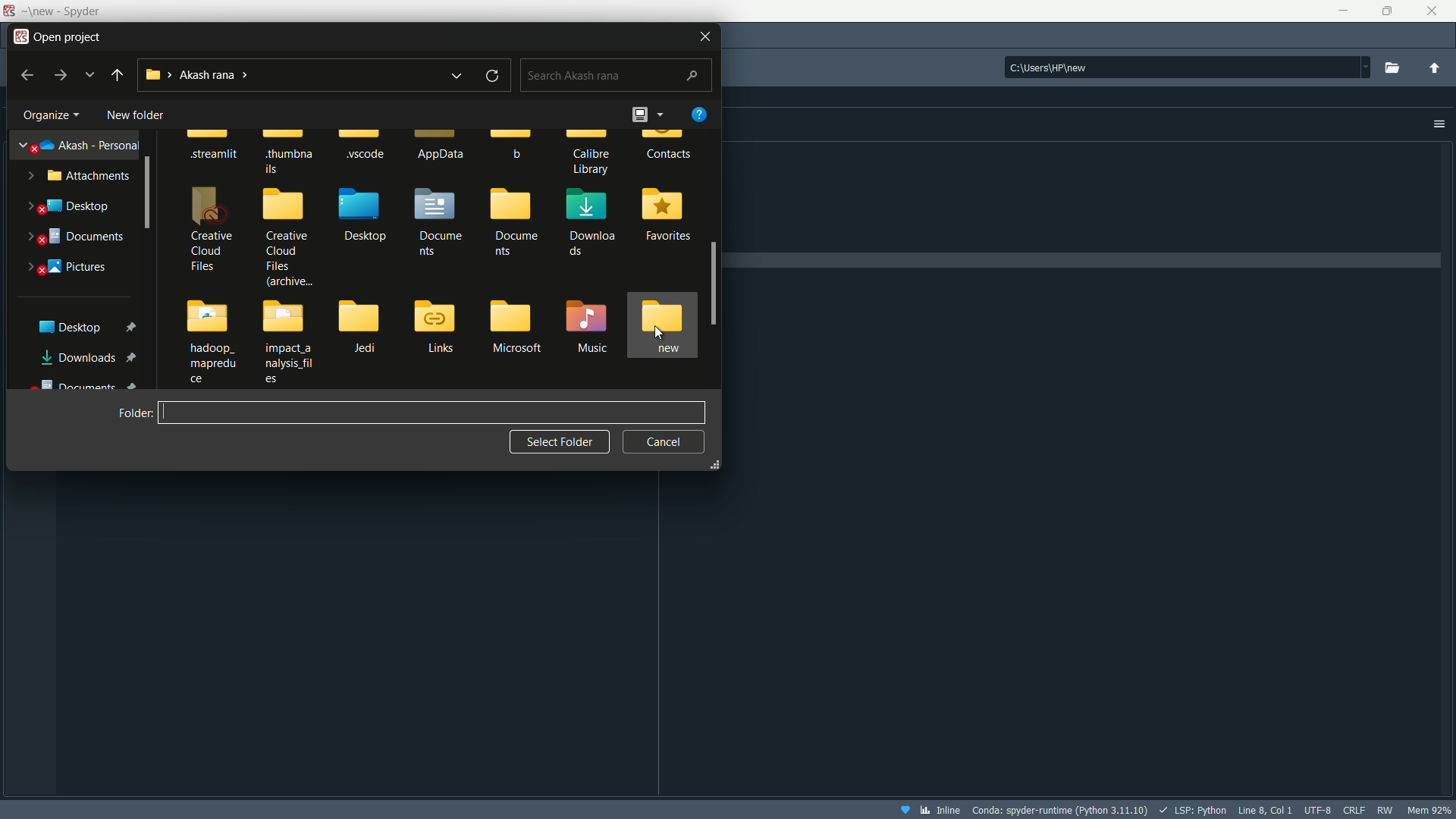 The width and height of the screenshot is (1456, 819). What do you see at coordinates (20, 35) in the screenshot?
I see `app logo` at bounding box center [20, 35].